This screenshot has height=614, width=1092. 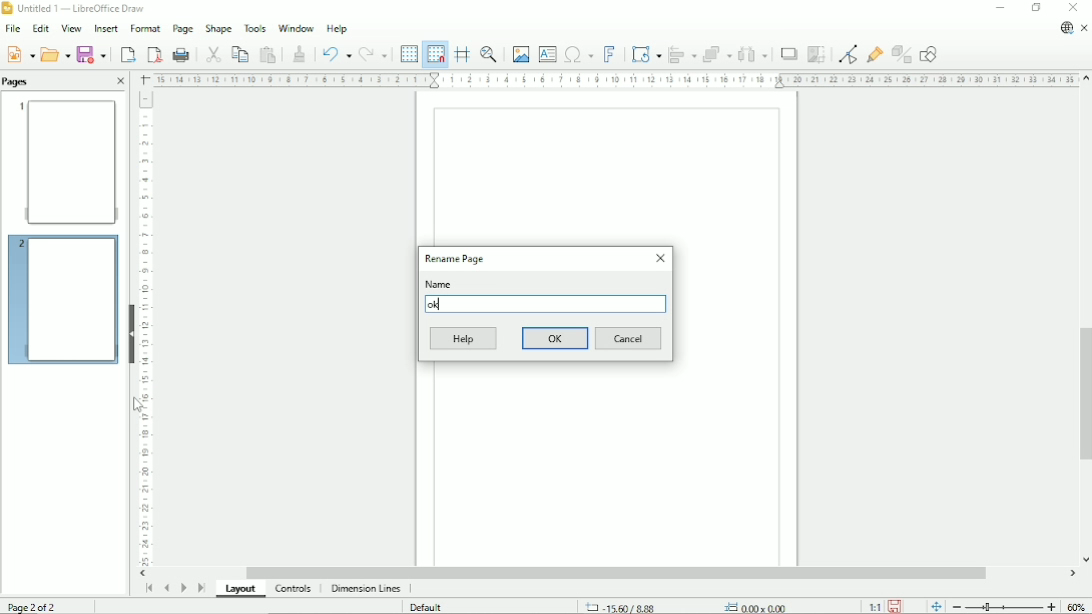 What do you see at coordinates (166, 588) in the screenshot?
I see `Scroll to previous page` at bounding box center [166, 588].